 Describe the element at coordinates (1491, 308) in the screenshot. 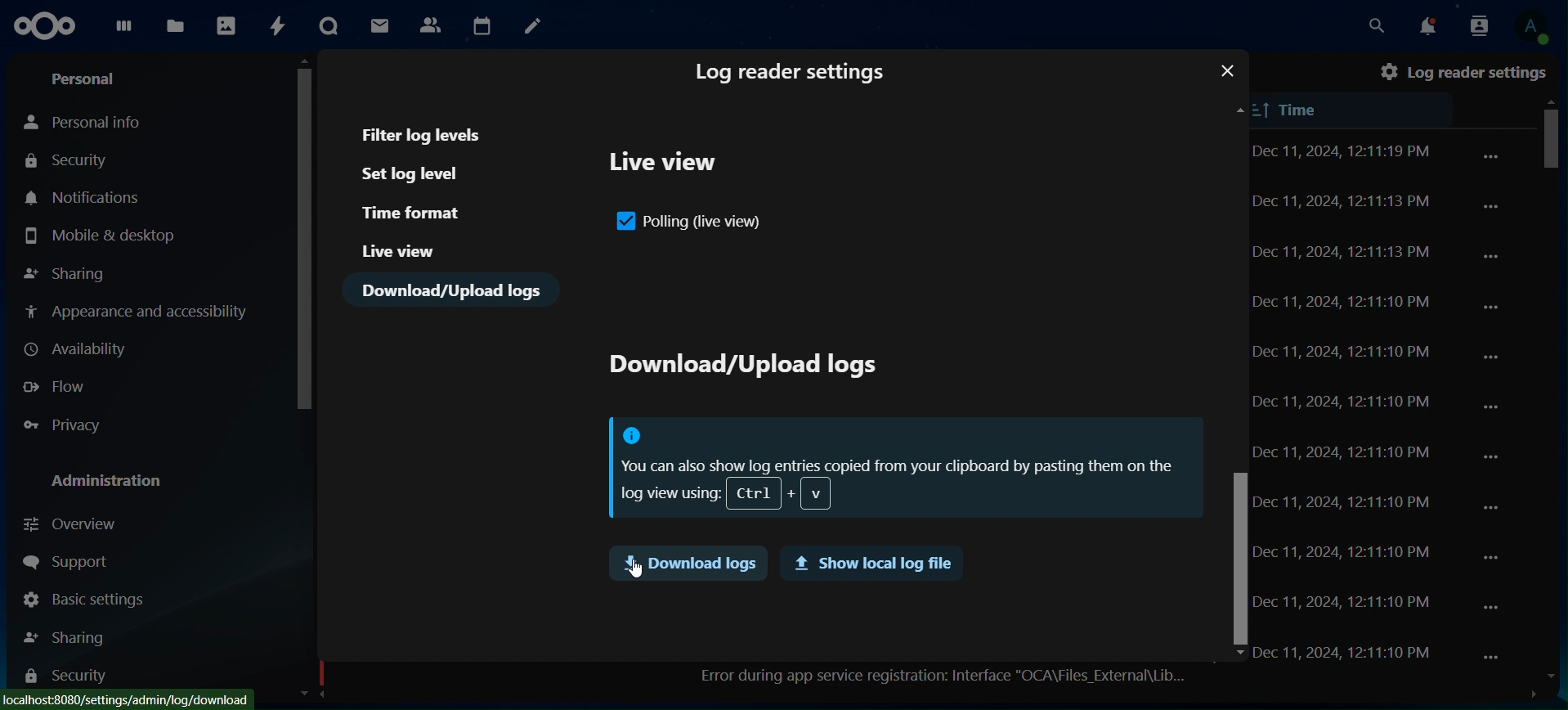

I see `...` at that location.